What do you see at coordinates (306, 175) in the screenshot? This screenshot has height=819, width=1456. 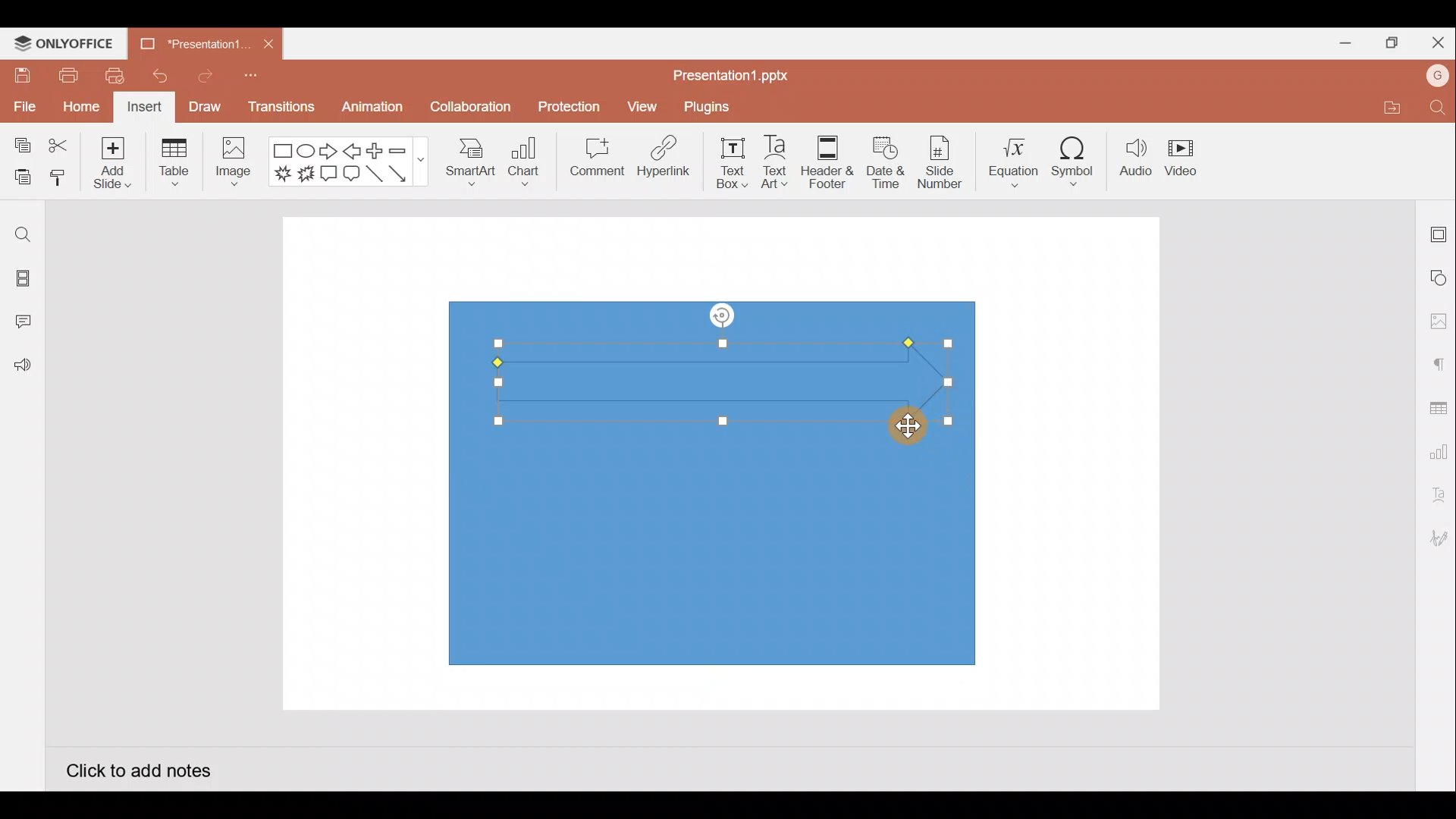 I see `Explosion 2` at bounding box center [306, 175].